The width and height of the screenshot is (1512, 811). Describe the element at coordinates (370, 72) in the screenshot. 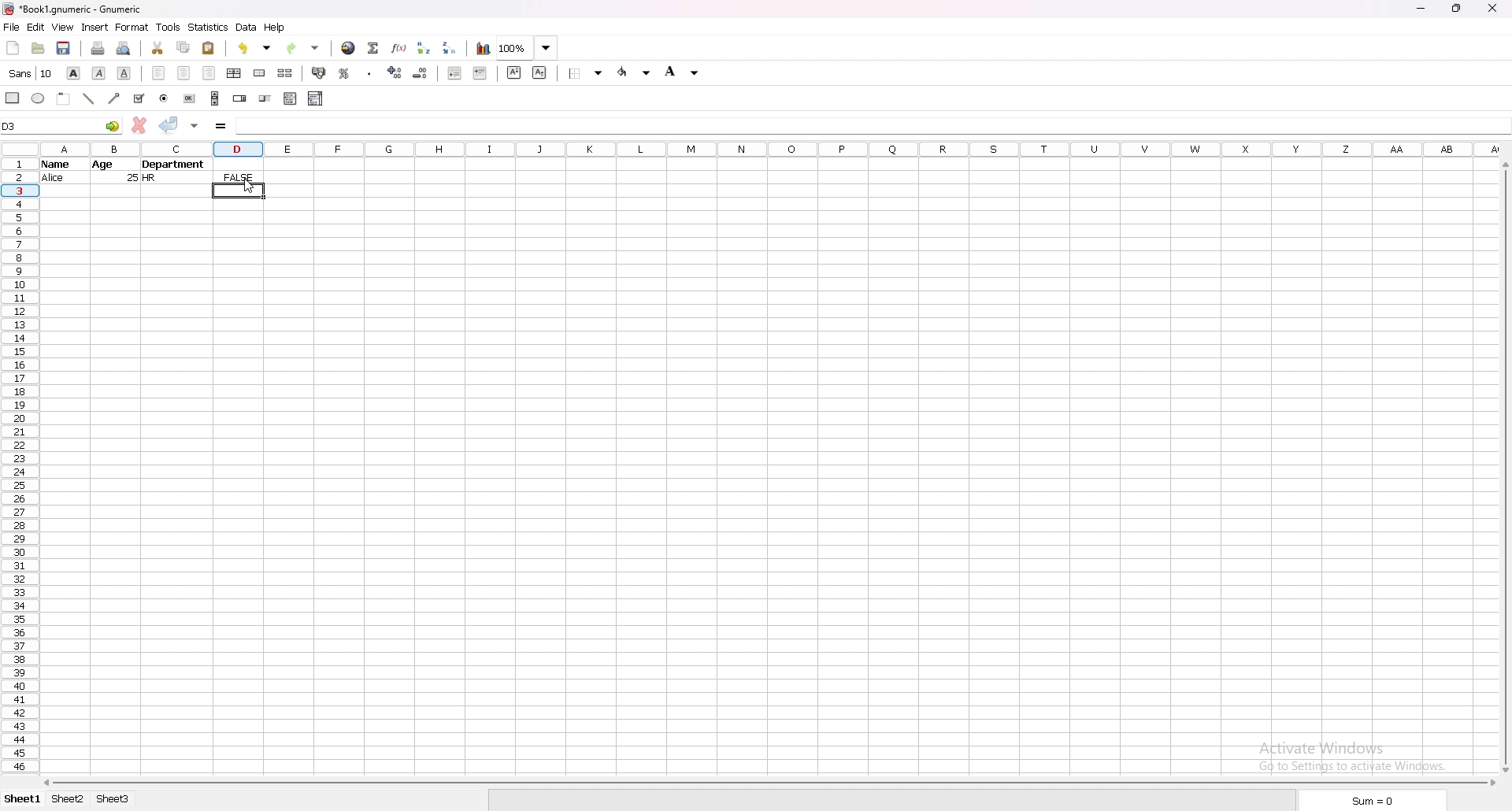

I see `thousands separator` at that location.